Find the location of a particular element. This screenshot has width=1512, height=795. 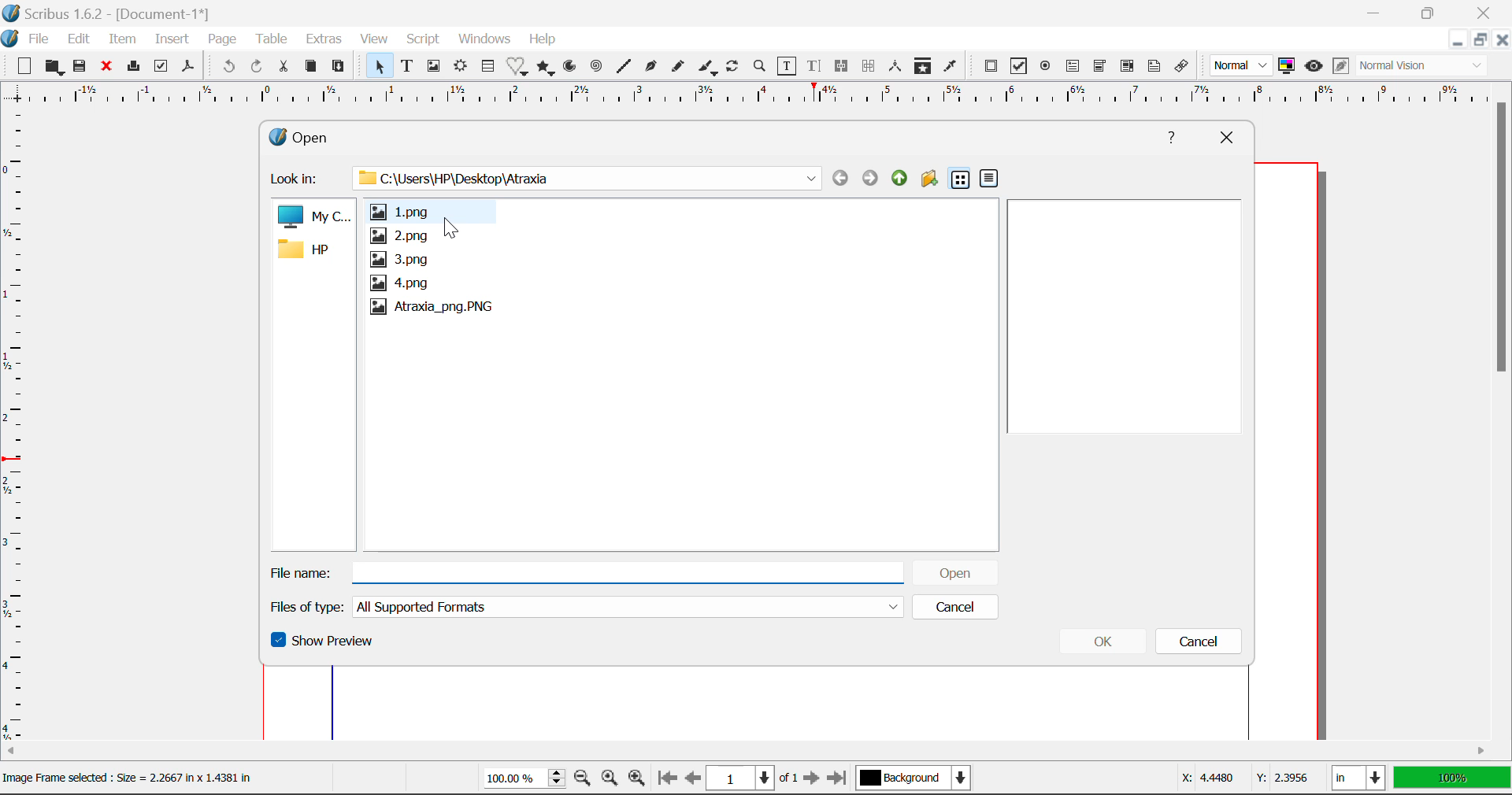

Open is located at coordinates (323, 135).